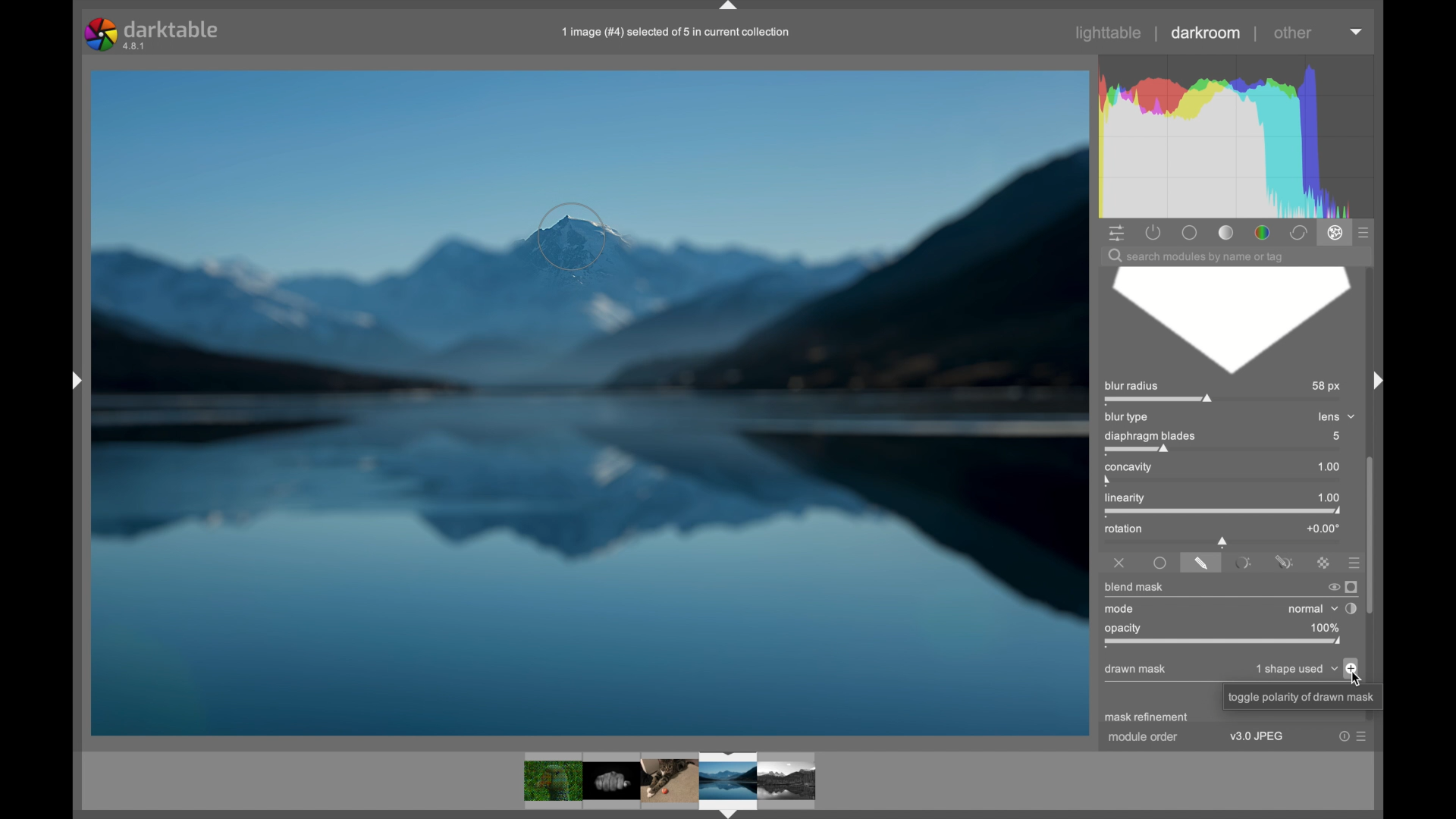 The height and width of the screenshot is (819, 1456). I want to click on dropdown menu, so click(1357, 33).